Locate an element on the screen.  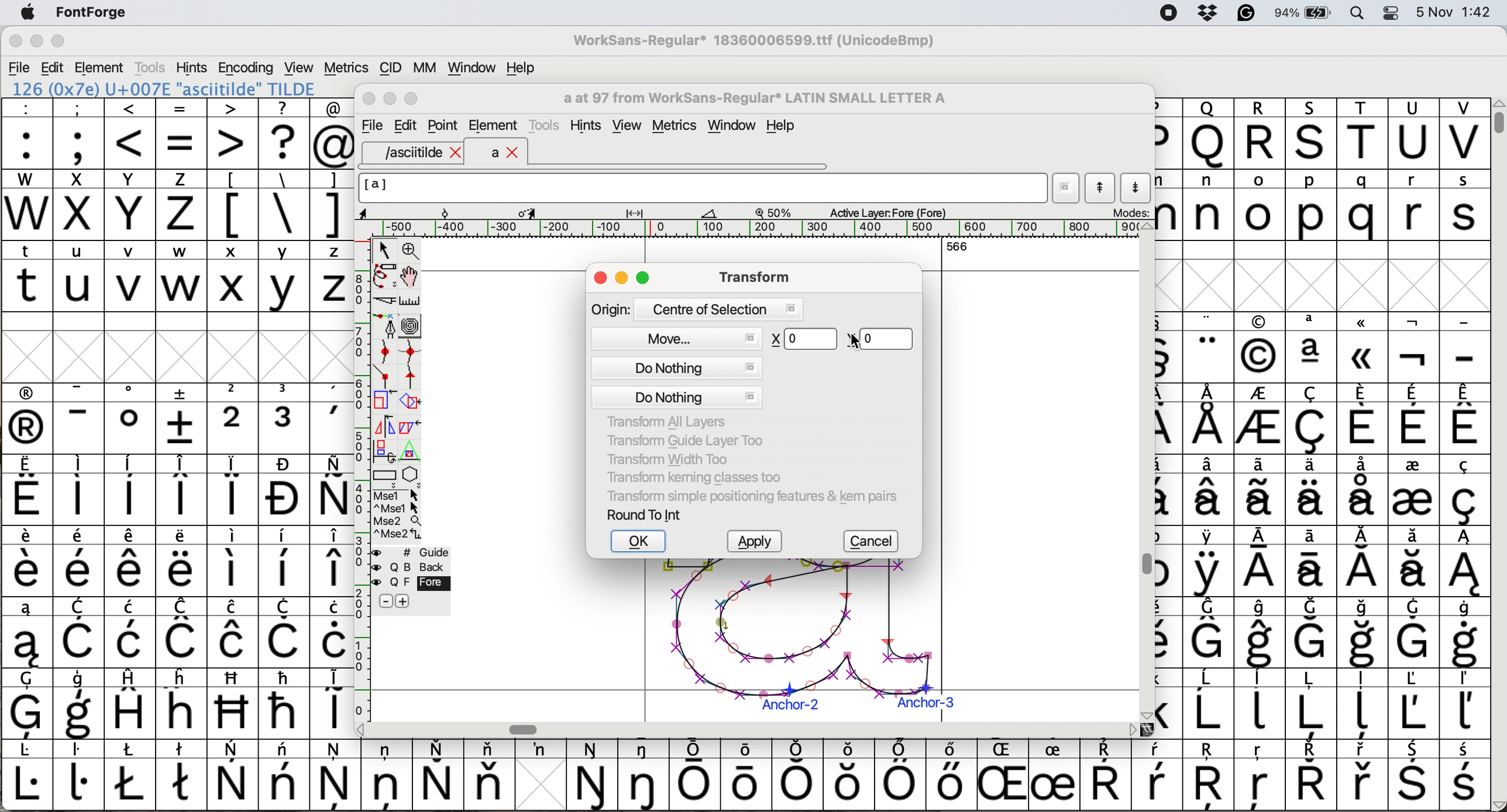
symbol is located at coordinates (130, 490).